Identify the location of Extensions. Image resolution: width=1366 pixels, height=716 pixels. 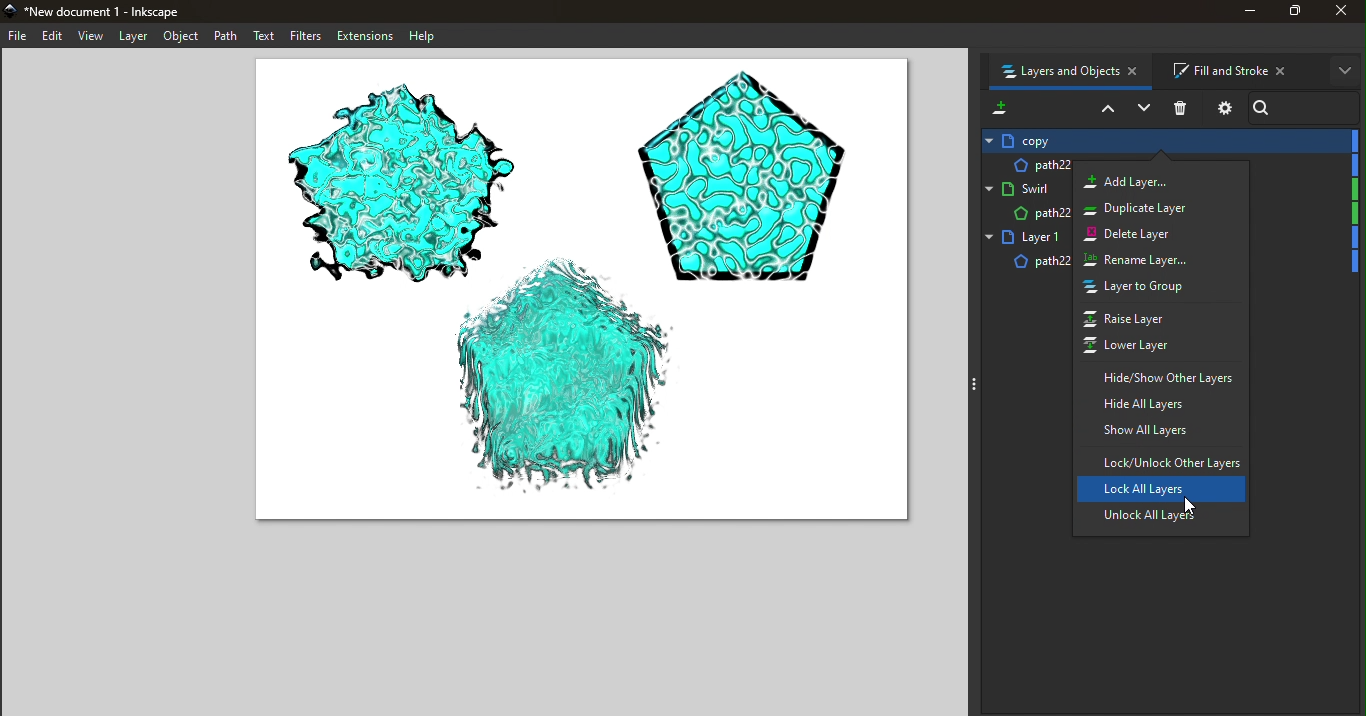
(363, 36).